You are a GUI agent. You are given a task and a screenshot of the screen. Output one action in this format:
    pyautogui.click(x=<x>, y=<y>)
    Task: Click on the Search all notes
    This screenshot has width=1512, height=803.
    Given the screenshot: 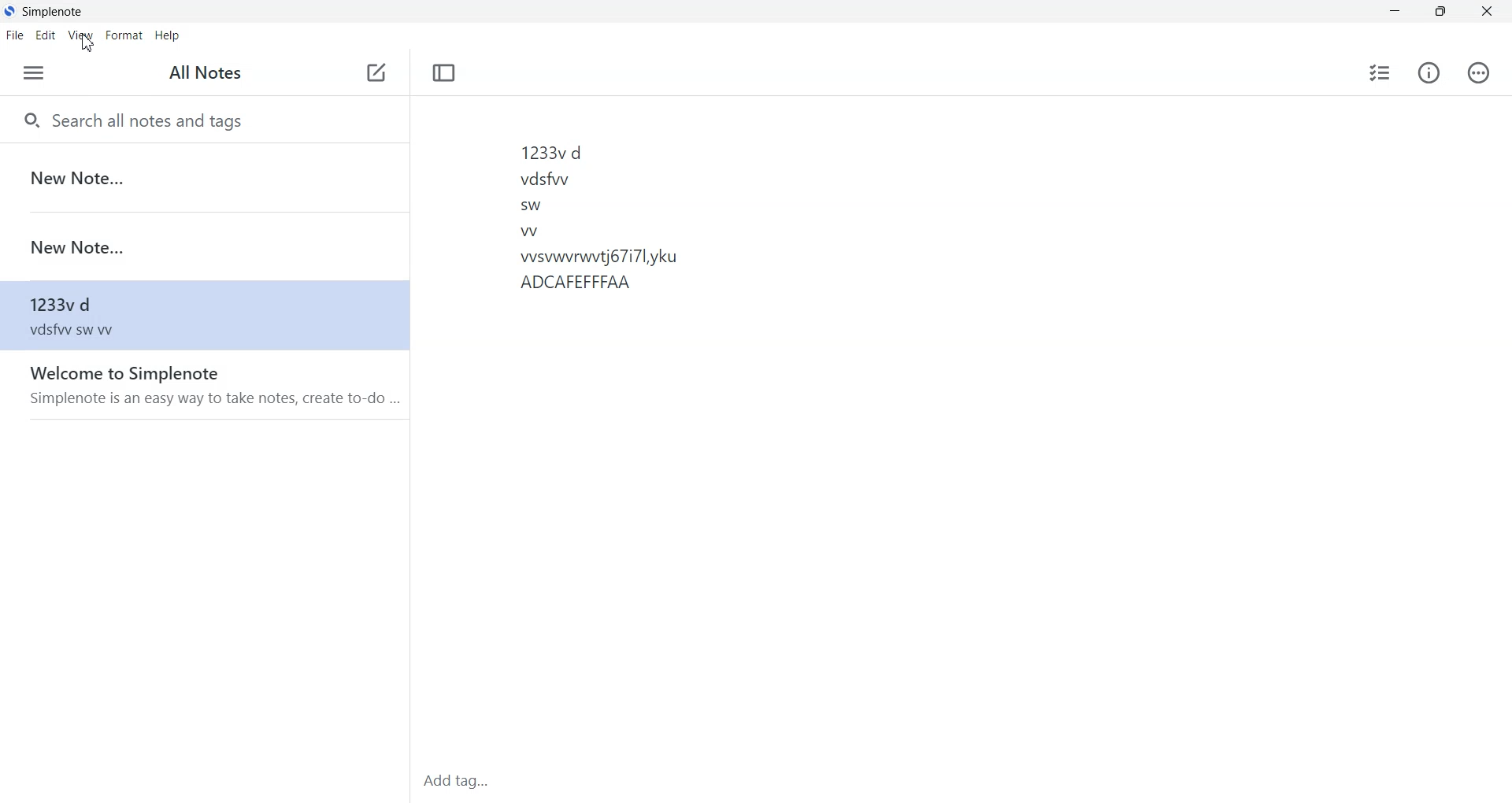 What is the action you would take?
    pyautogui.click(x=202, y=120)
    